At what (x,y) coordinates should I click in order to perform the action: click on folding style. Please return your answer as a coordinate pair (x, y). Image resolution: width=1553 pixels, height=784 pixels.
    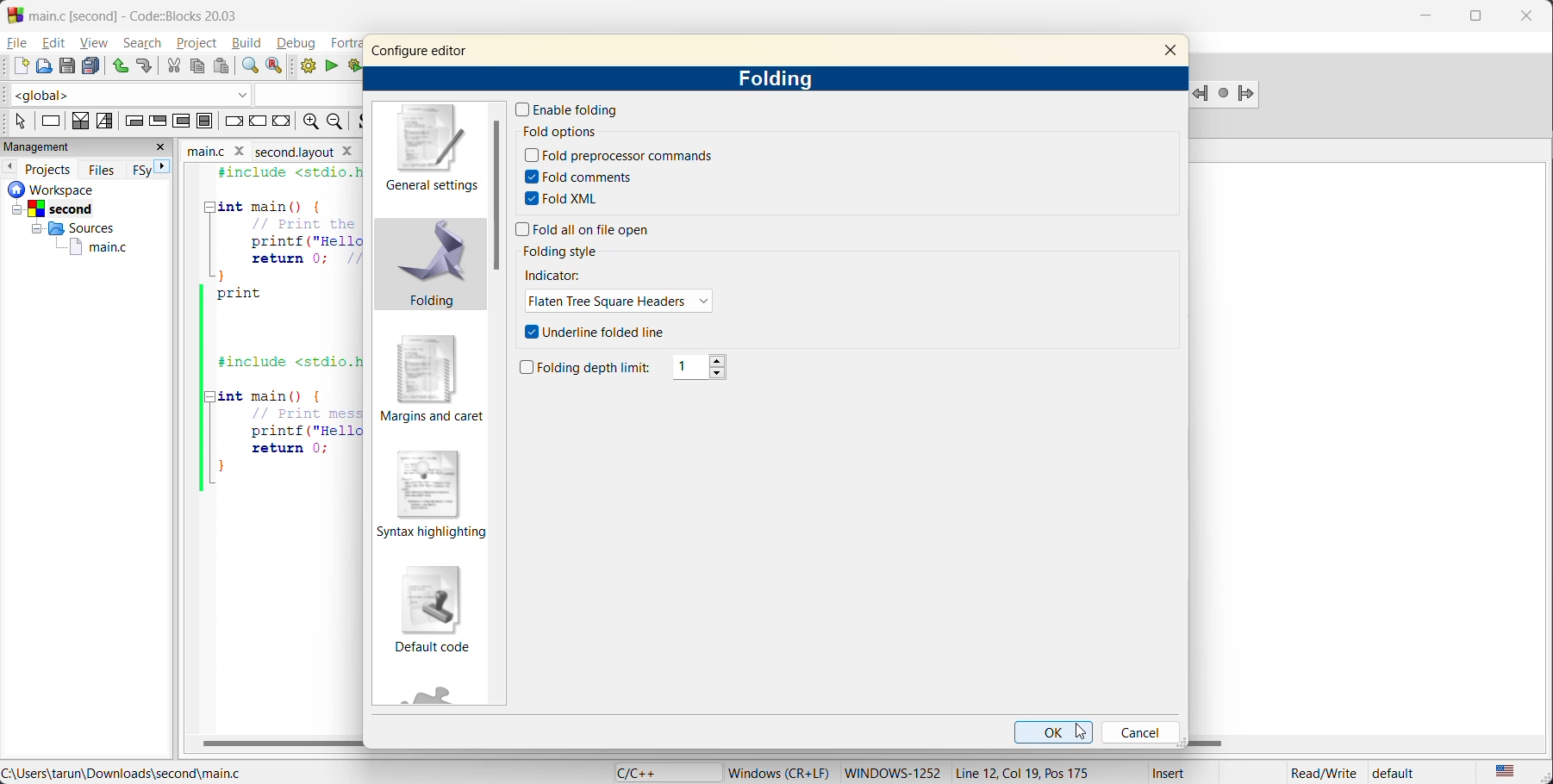
    Looking at the image, I should click on (566, 252).